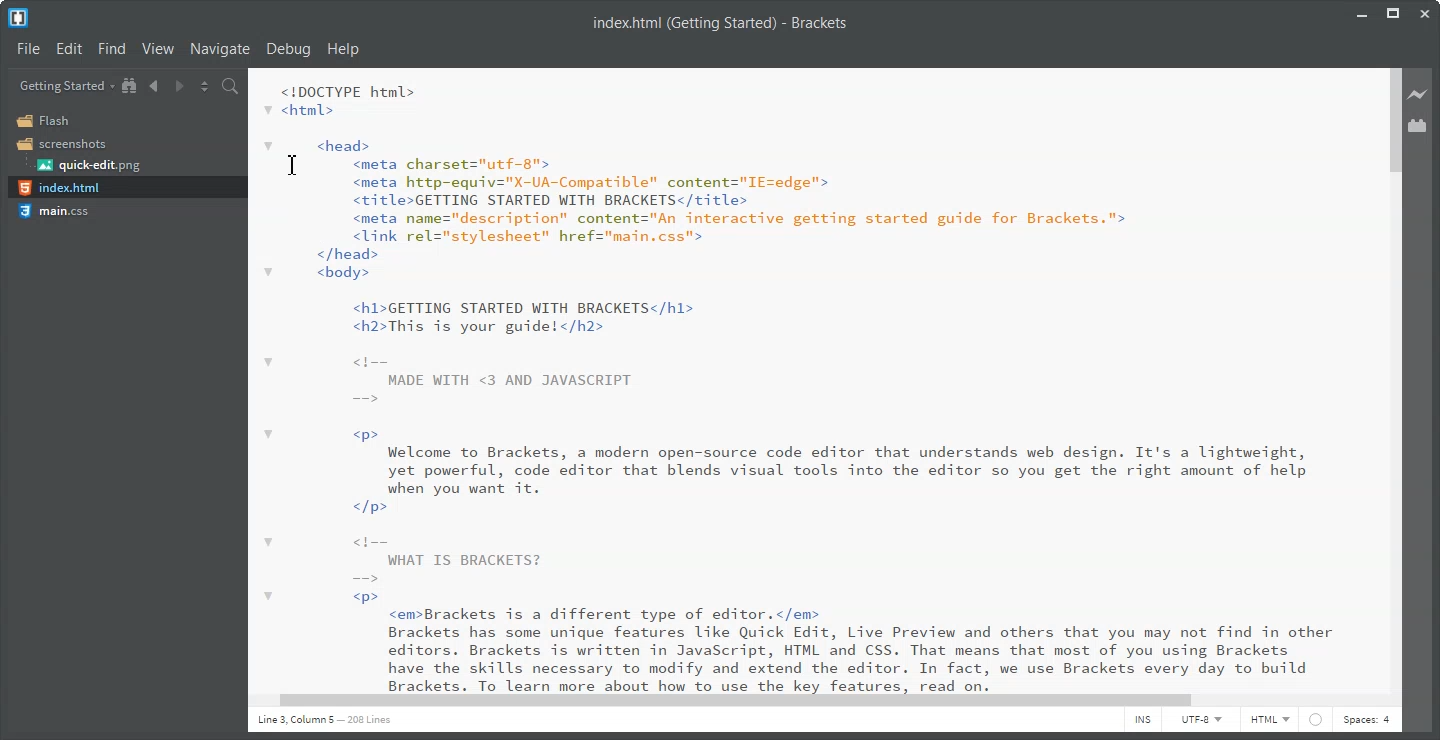 This screenshot has height=740, width=1440. Describe the element at coordinates (710, 24) in the screenshot. I see `index.html (Getting Started) - Brackets` at that location.